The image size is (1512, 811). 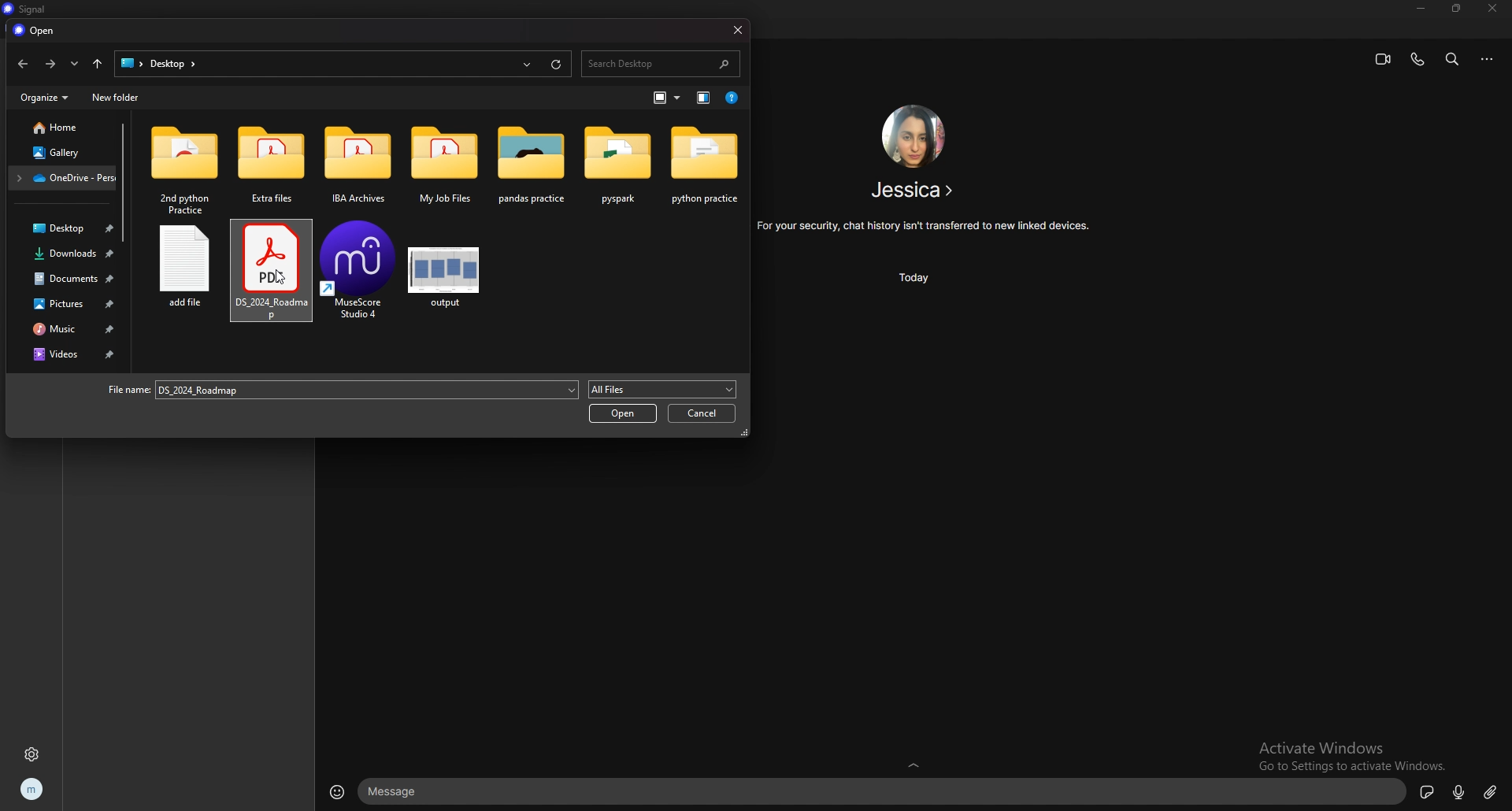 I want to click on folder, so click(x=269, y=165).